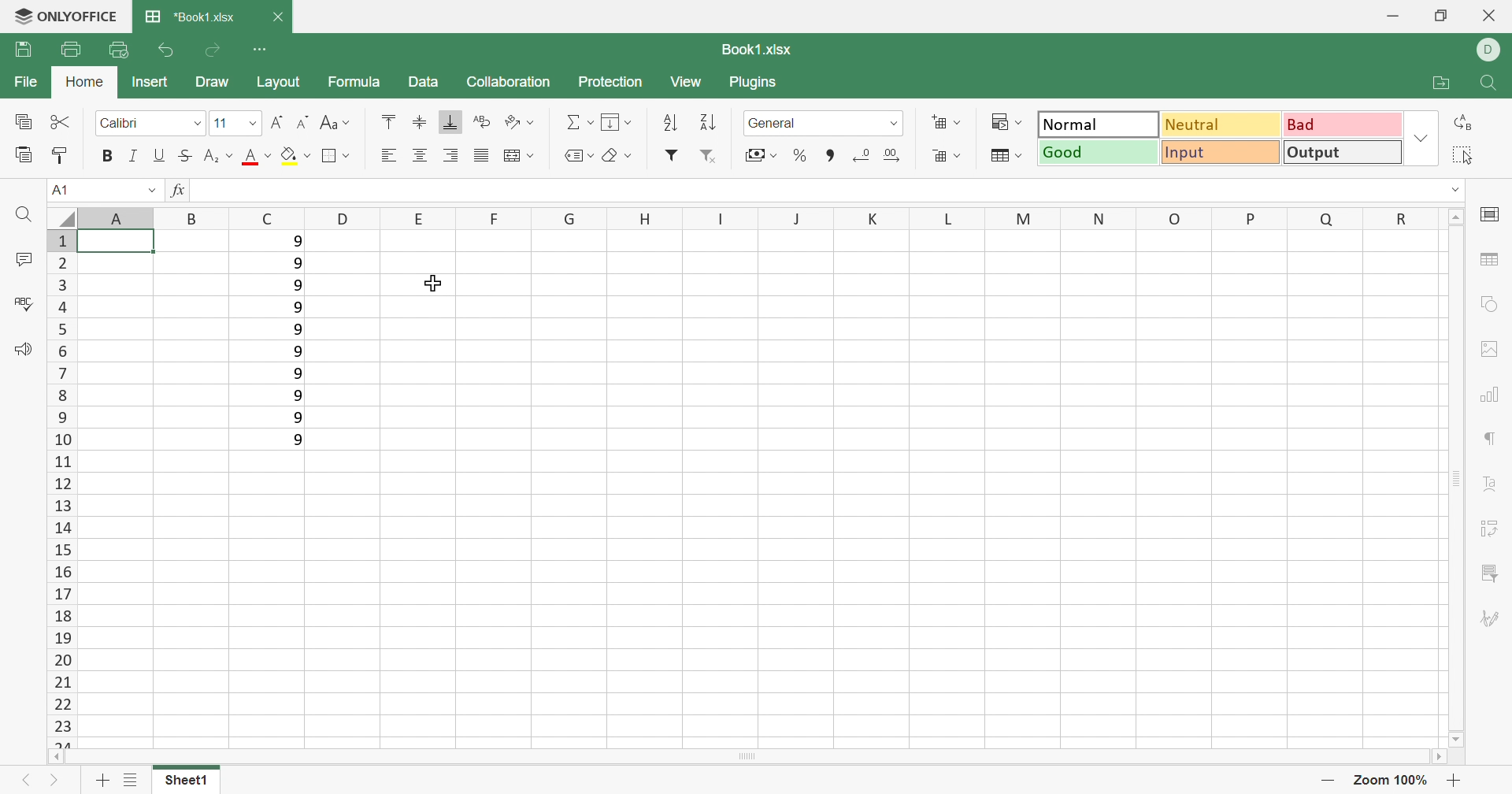 The width and height of the screenshot is (1512, 794). What do you see at coordinates (419, 155) in the screenshot?
I see `Align Center` at bounding box center [419, 155].